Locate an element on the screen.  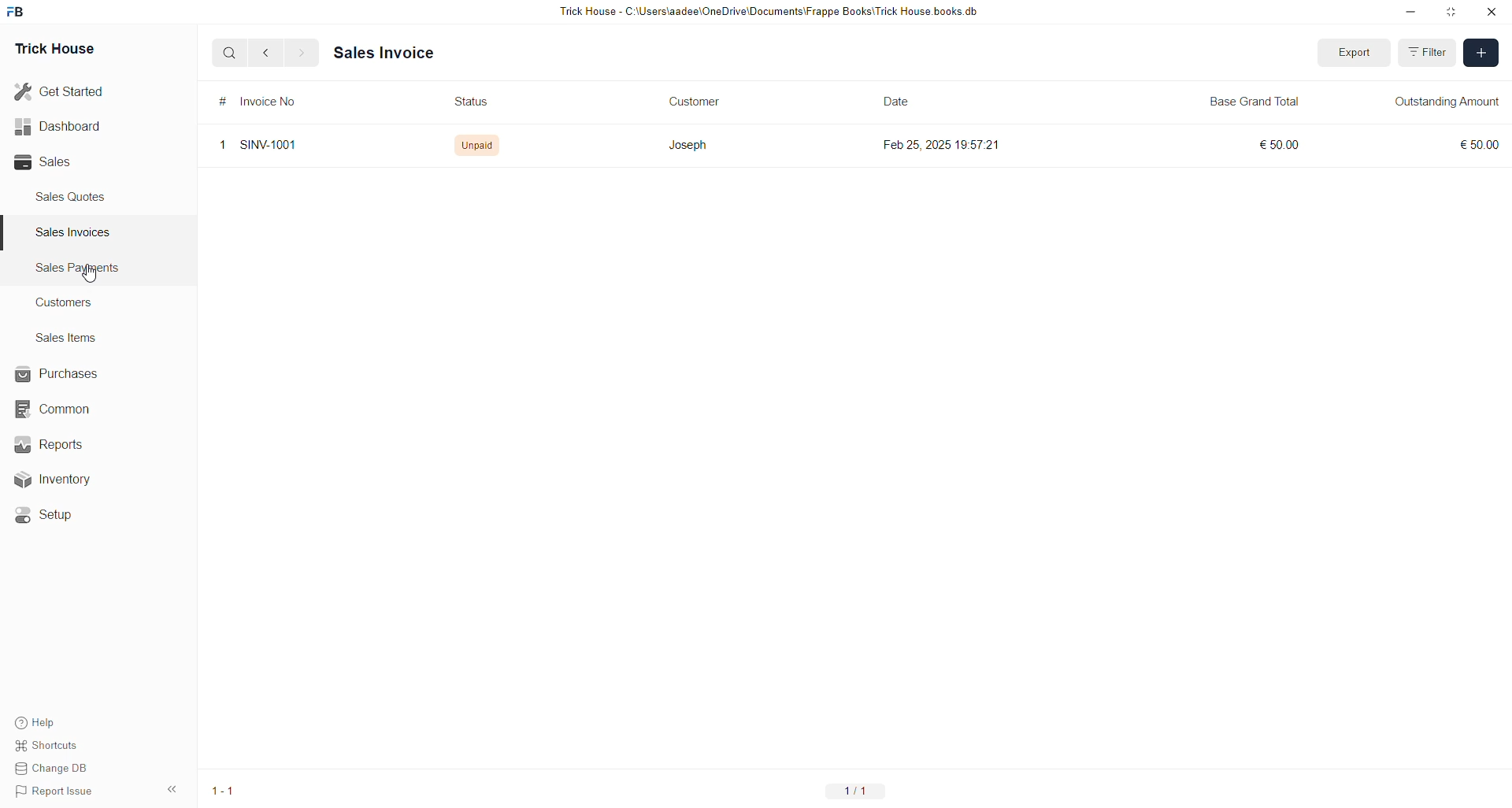
Back is located at coordinates (266, 54).